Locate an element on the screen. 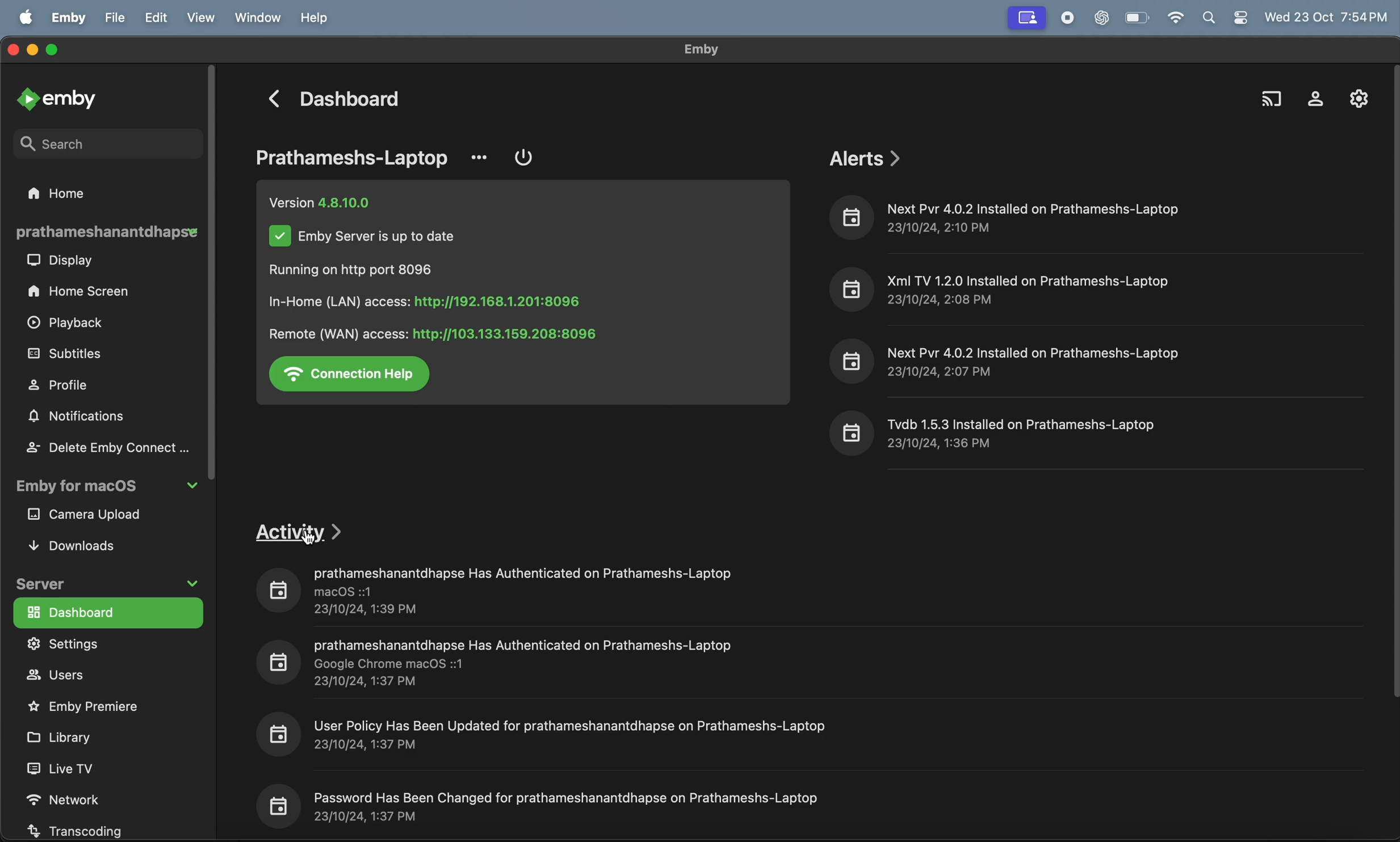 The height and width of the screenshot is (842, 1400). cursor is located at coordinates (311, 539).